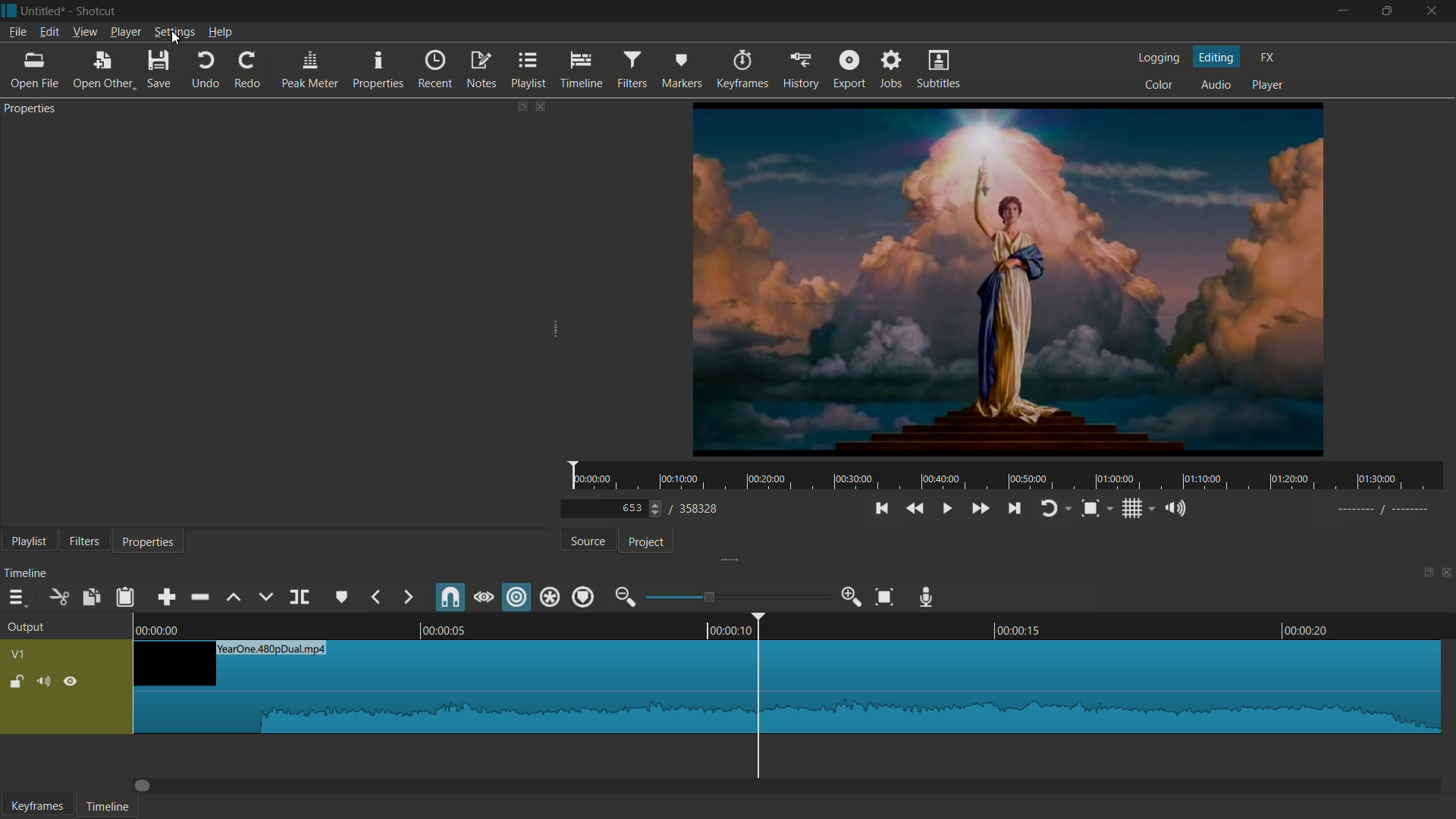 The image size is (1456, 819). What do you see at coordinates (516, 597) in the screenshot?
I see `ripple` at bounding box center [516, 597].